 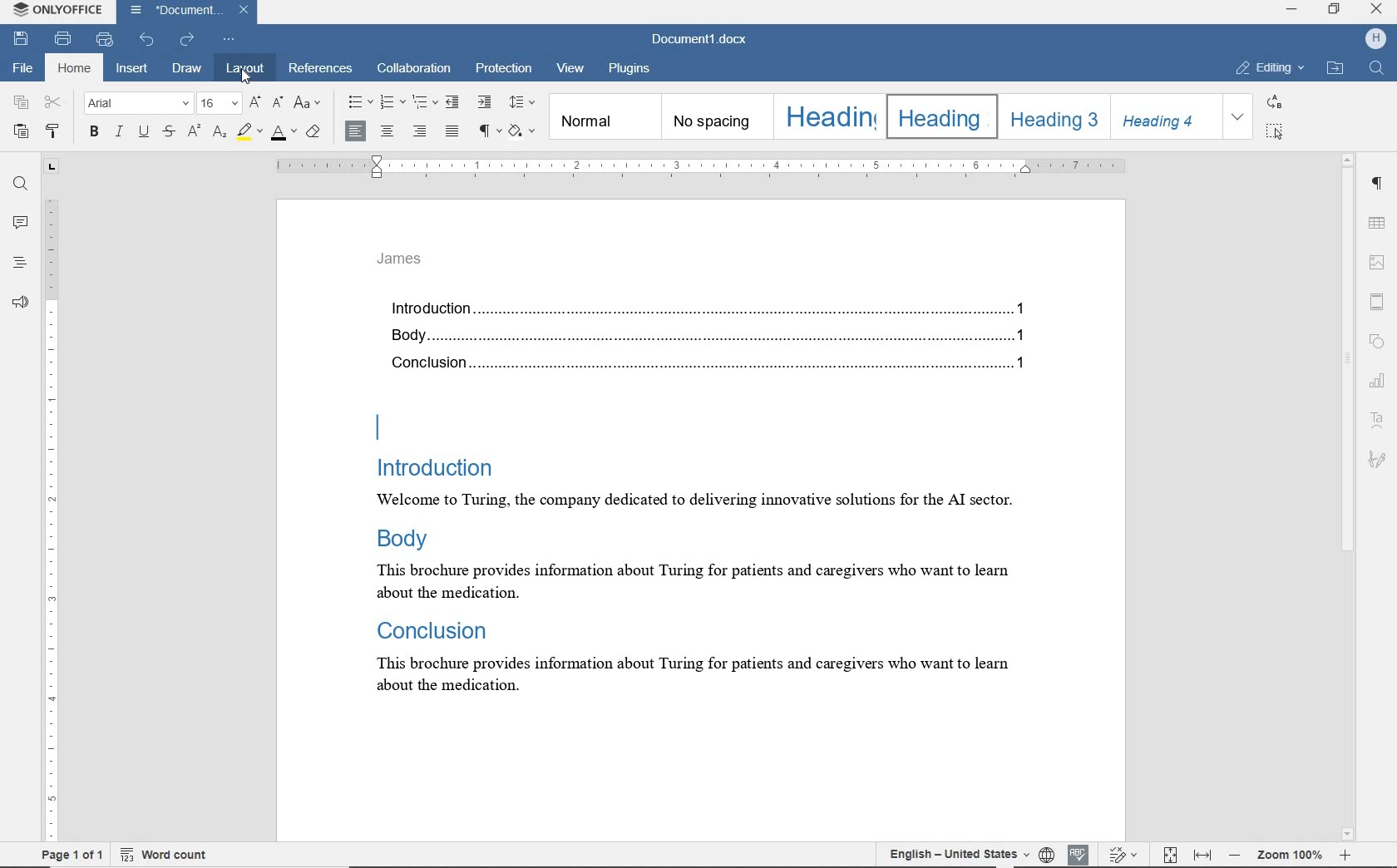 I want to click on spell check, so click(x=1079, y=853).